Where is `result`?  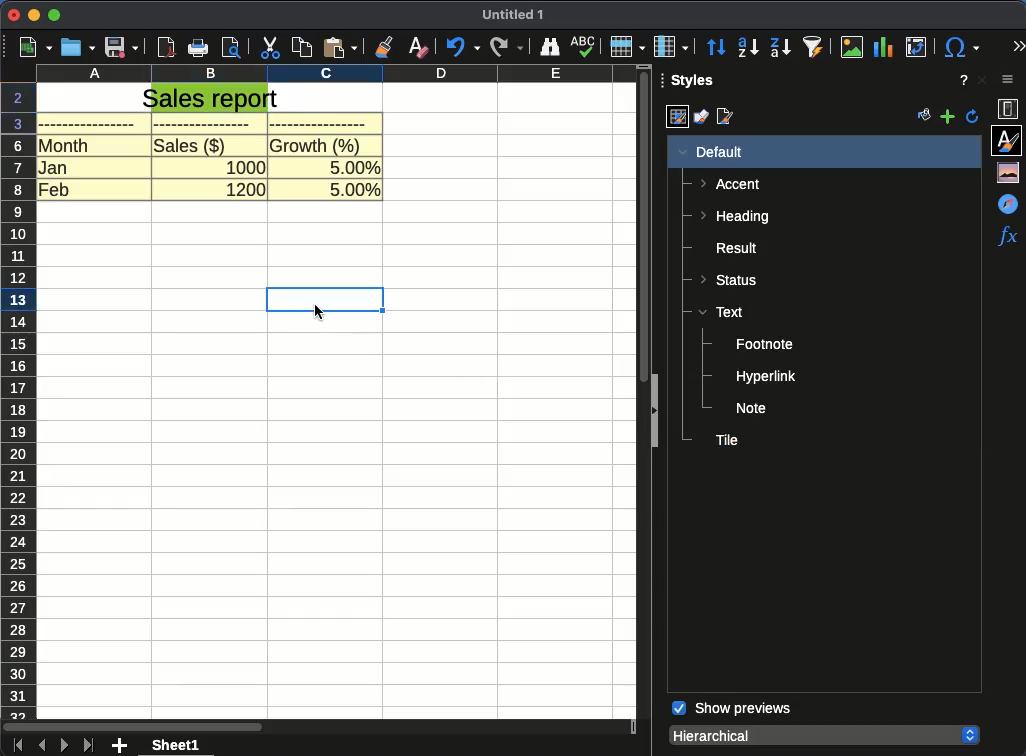 result is located at coordinates (730, 248).